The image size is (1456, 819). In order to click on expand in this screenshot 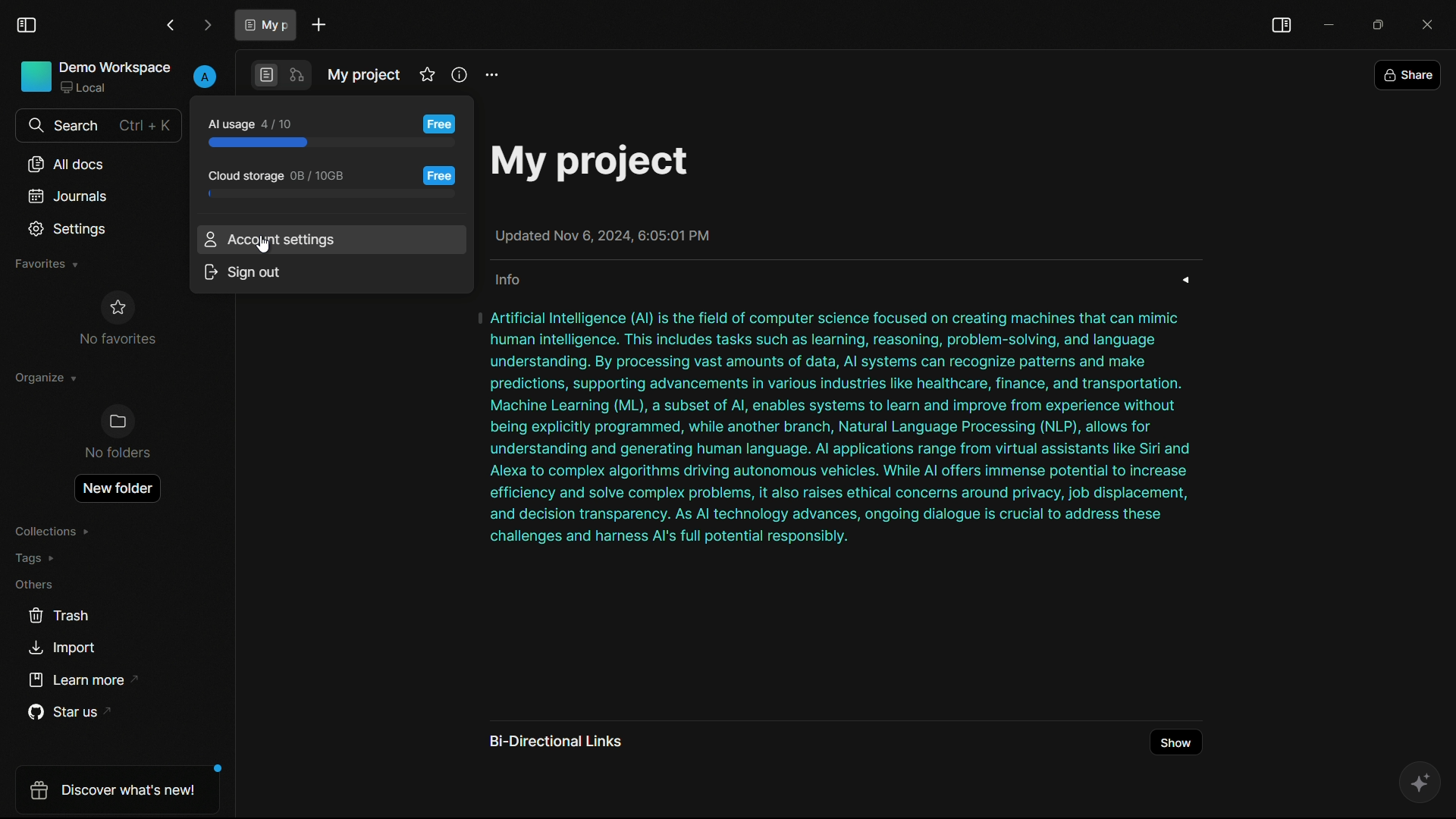, I will do `click(1187, 280)`.